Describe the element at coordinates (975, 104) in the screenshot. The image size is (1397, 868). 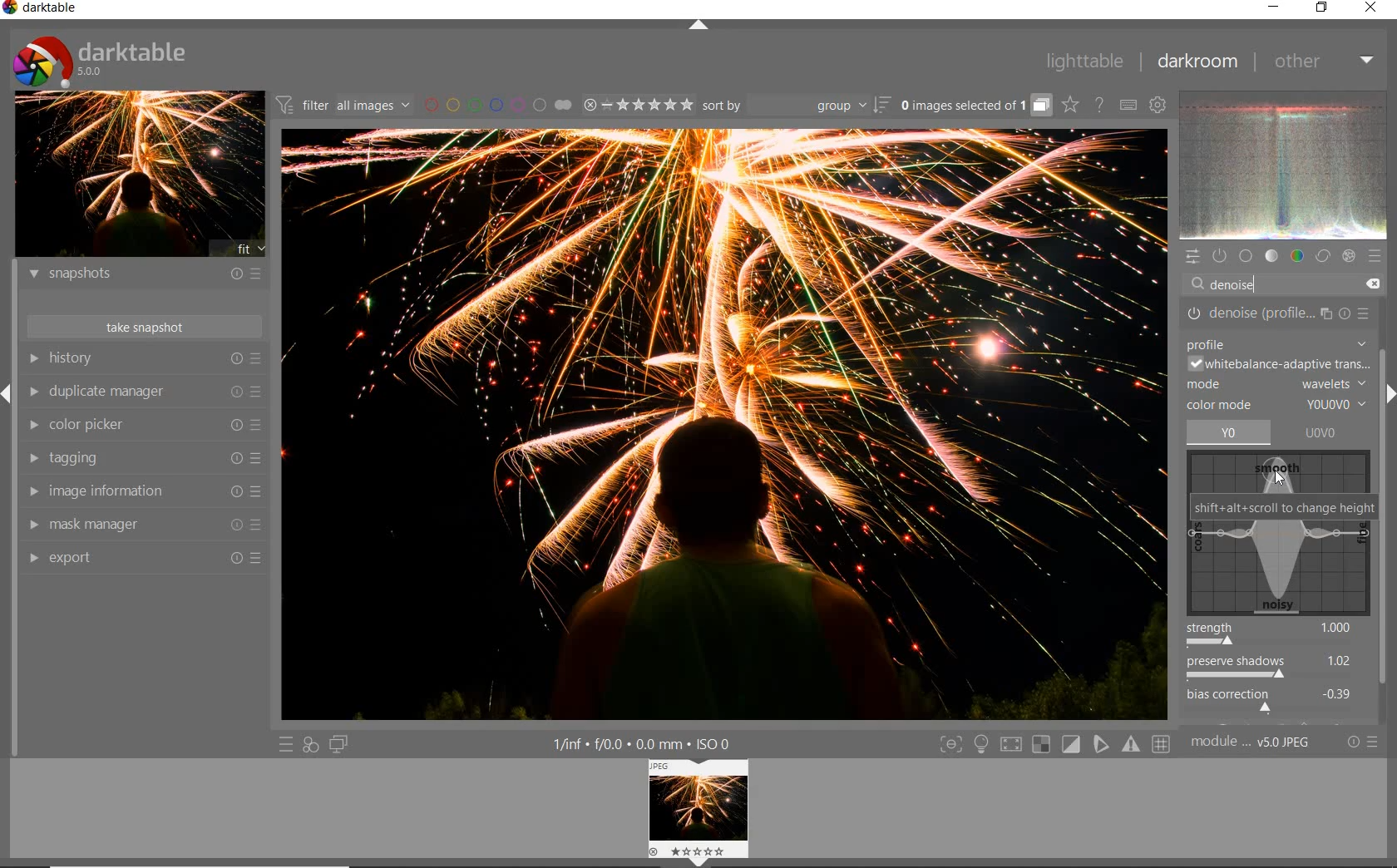
I see `grouped images` at that location.